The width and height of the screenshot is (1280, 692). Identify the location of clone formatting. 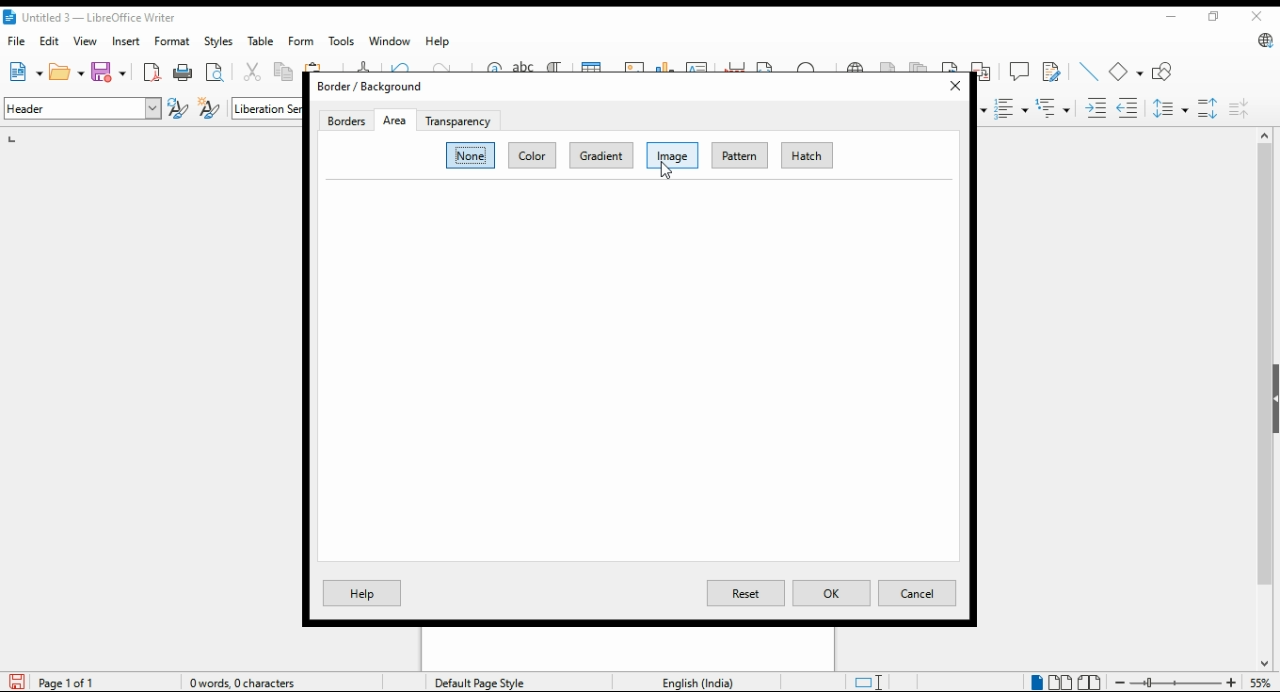
(365, 65).